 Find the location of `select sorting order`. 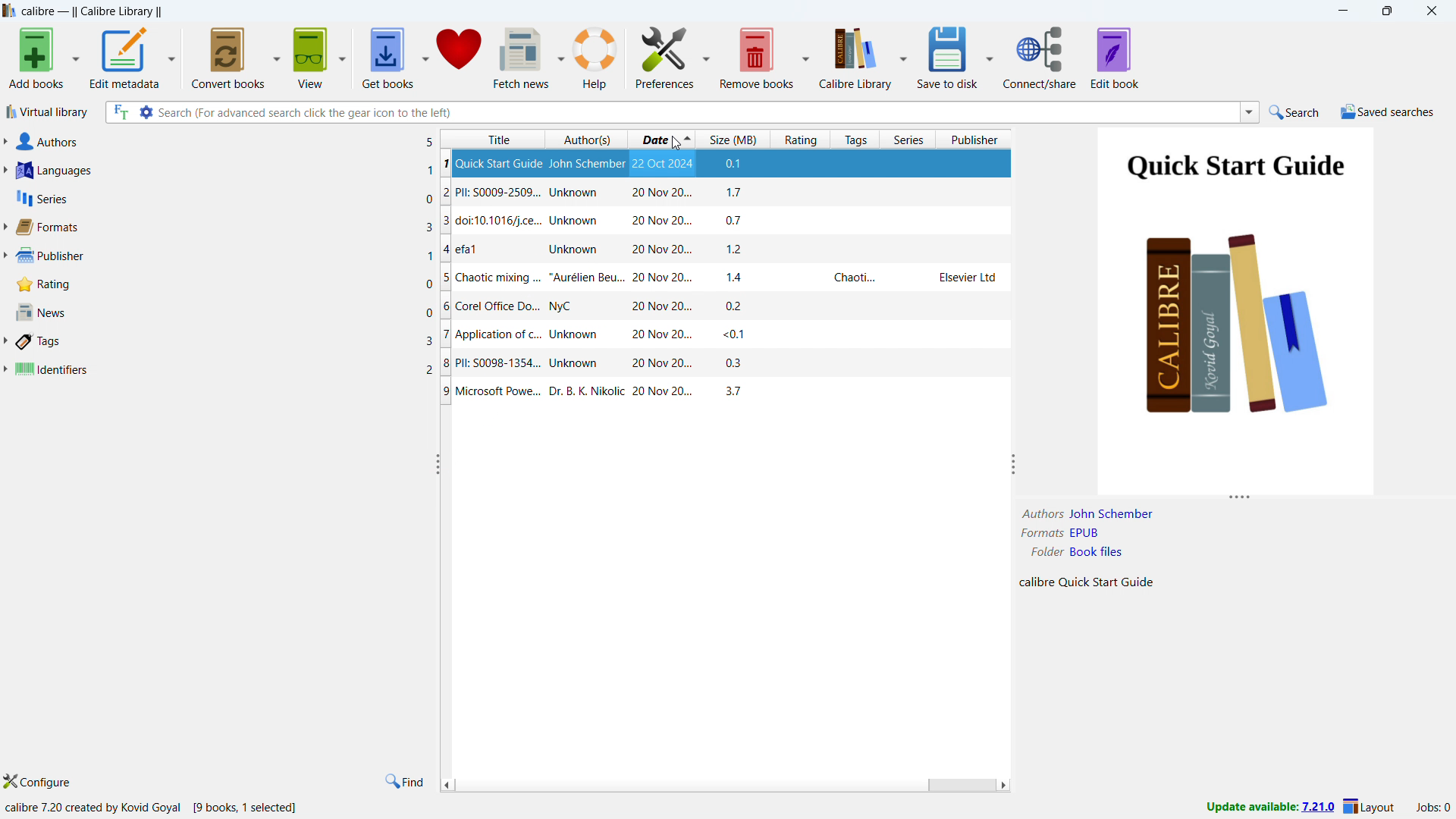

select sorting order is located at coordinates (617, 140).